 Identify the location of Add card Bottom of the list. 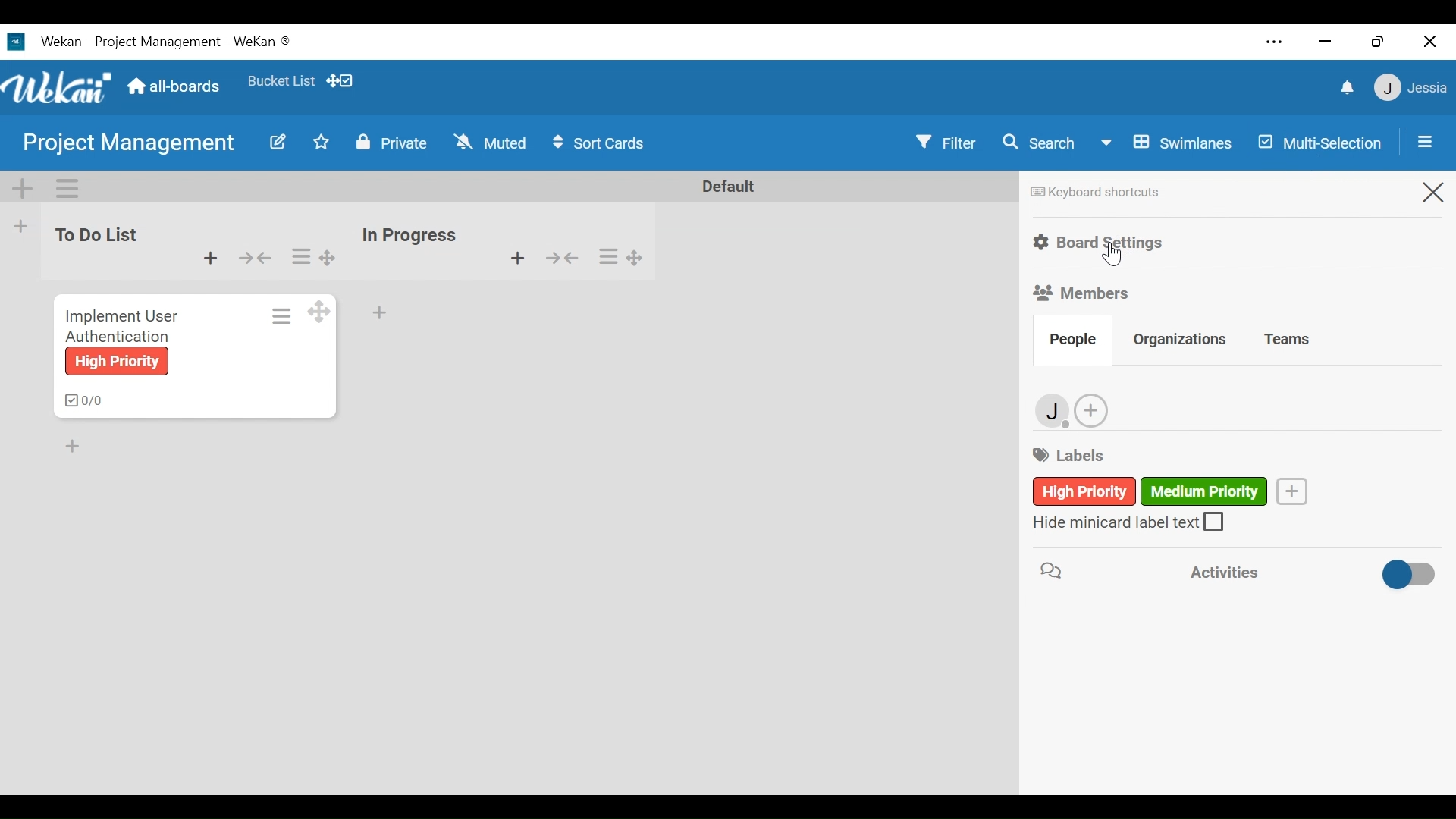
(378, 310).